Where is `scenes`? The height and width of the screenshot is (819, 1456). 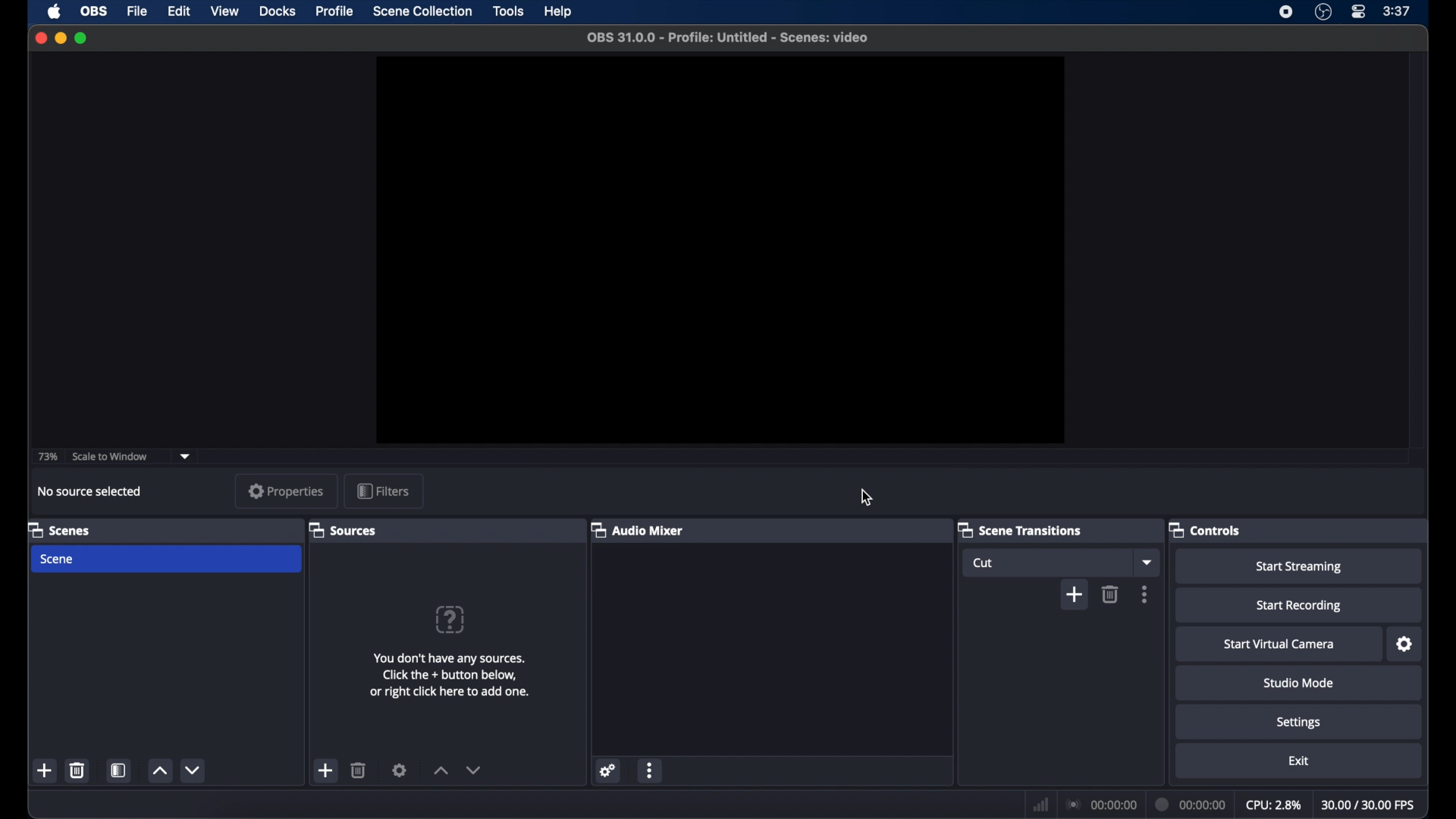 scenes is located at coordinates (58, 529).